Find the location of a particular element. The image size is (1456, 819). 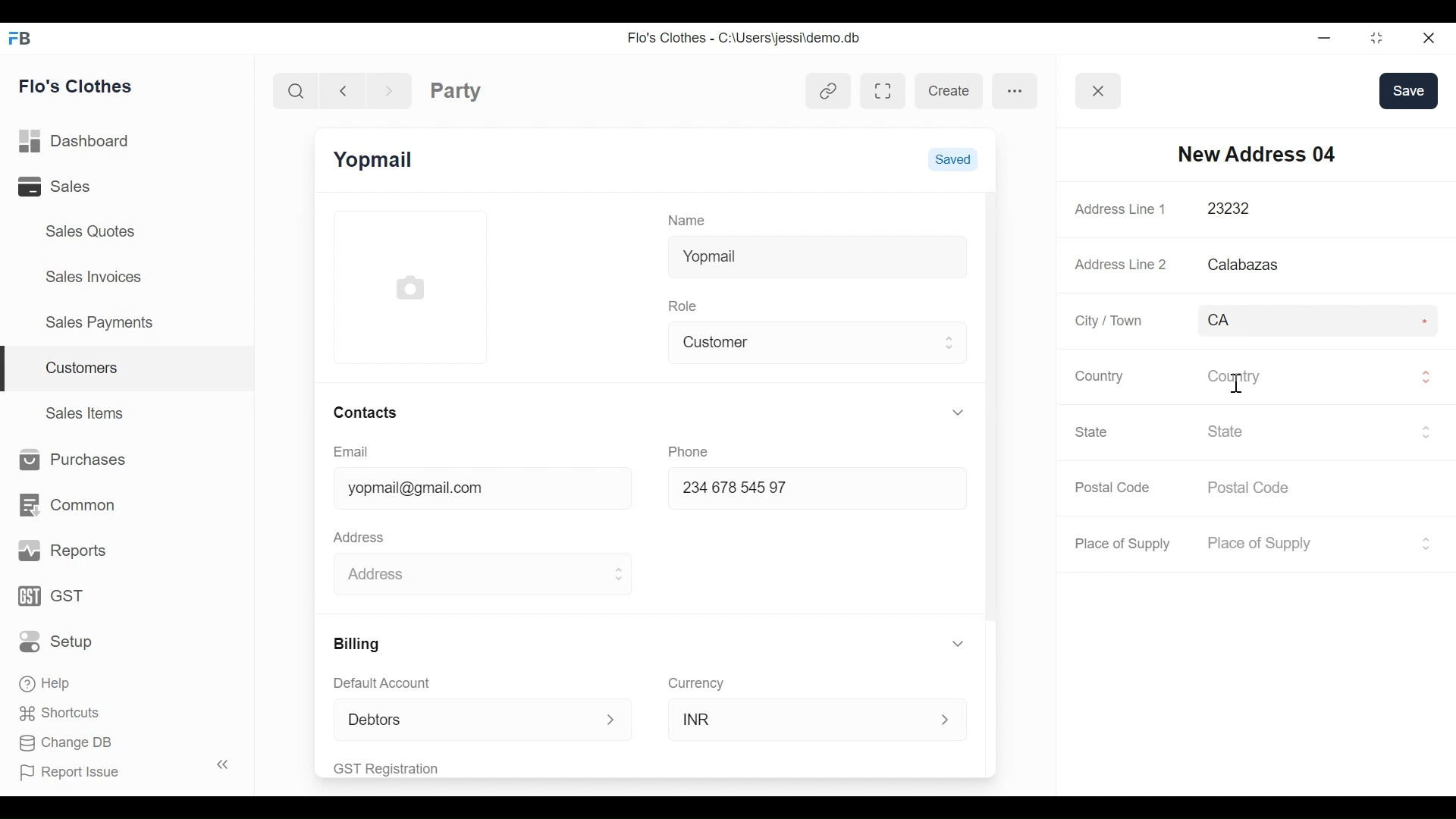

Expand is located at coordinates (947, 720).